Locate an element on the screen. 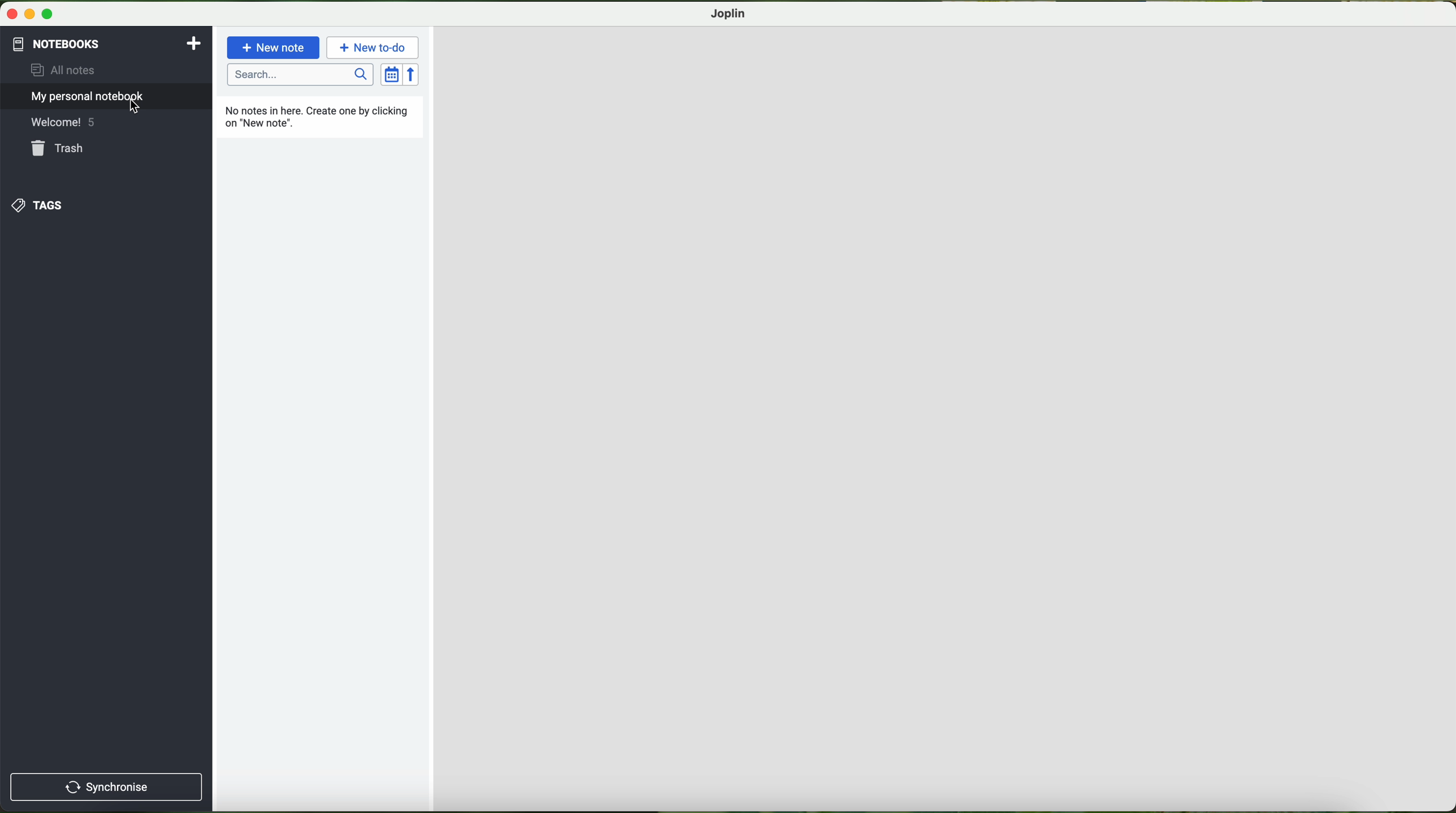  synchronise button is located at coordinates (106, 788).